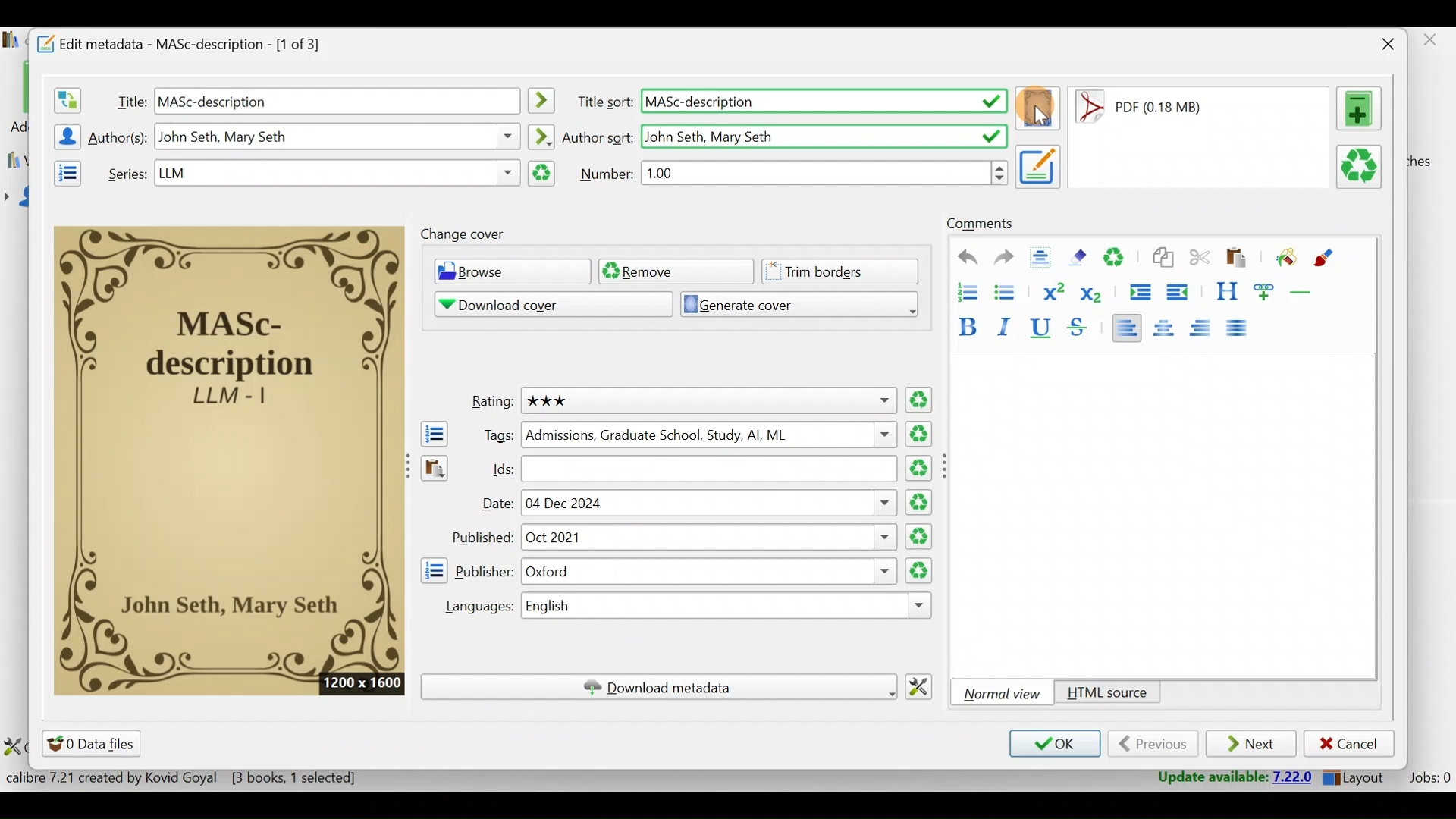  Describe the element at coordinates (920, 401) in the screenshot. I see `Clear rating` at that location.